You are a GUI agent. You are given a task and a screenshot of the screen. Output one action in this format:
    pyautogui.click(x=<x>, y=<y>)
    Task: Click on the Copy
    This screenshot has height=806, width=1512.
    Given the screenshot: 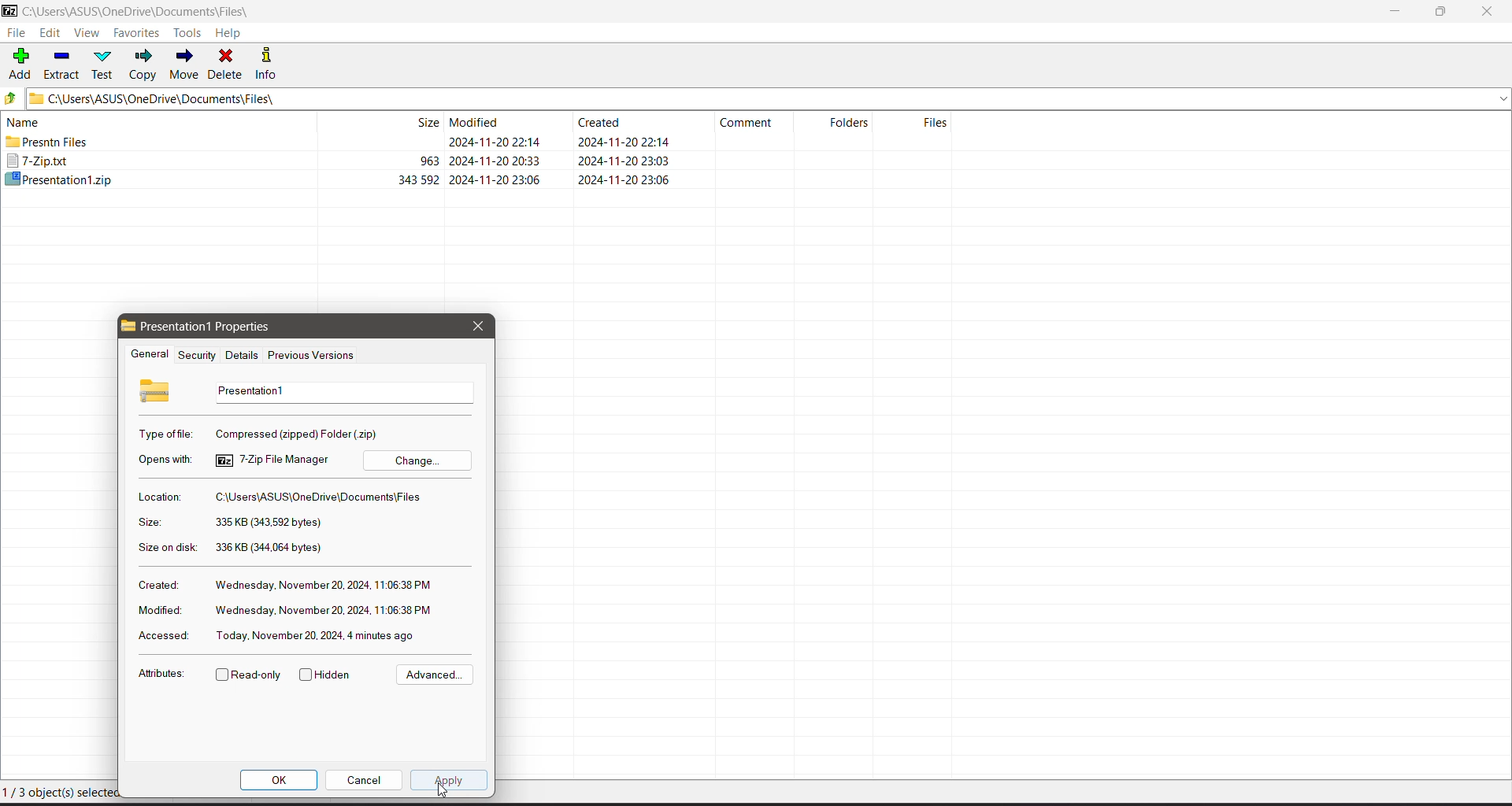 What is the action you would take?
    pyautogui.click(x=144, y=65)
    